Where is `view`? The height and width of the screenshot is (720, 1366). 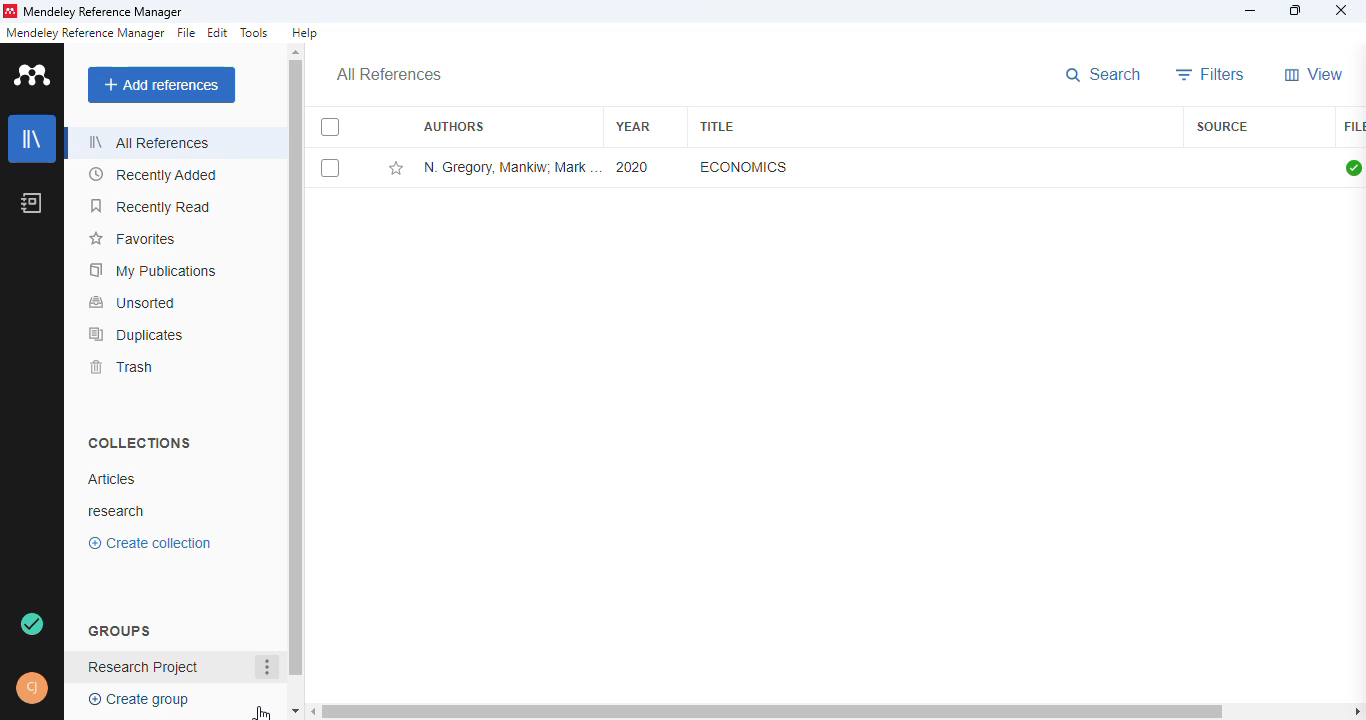
view is located at coordinates (1314, 75).